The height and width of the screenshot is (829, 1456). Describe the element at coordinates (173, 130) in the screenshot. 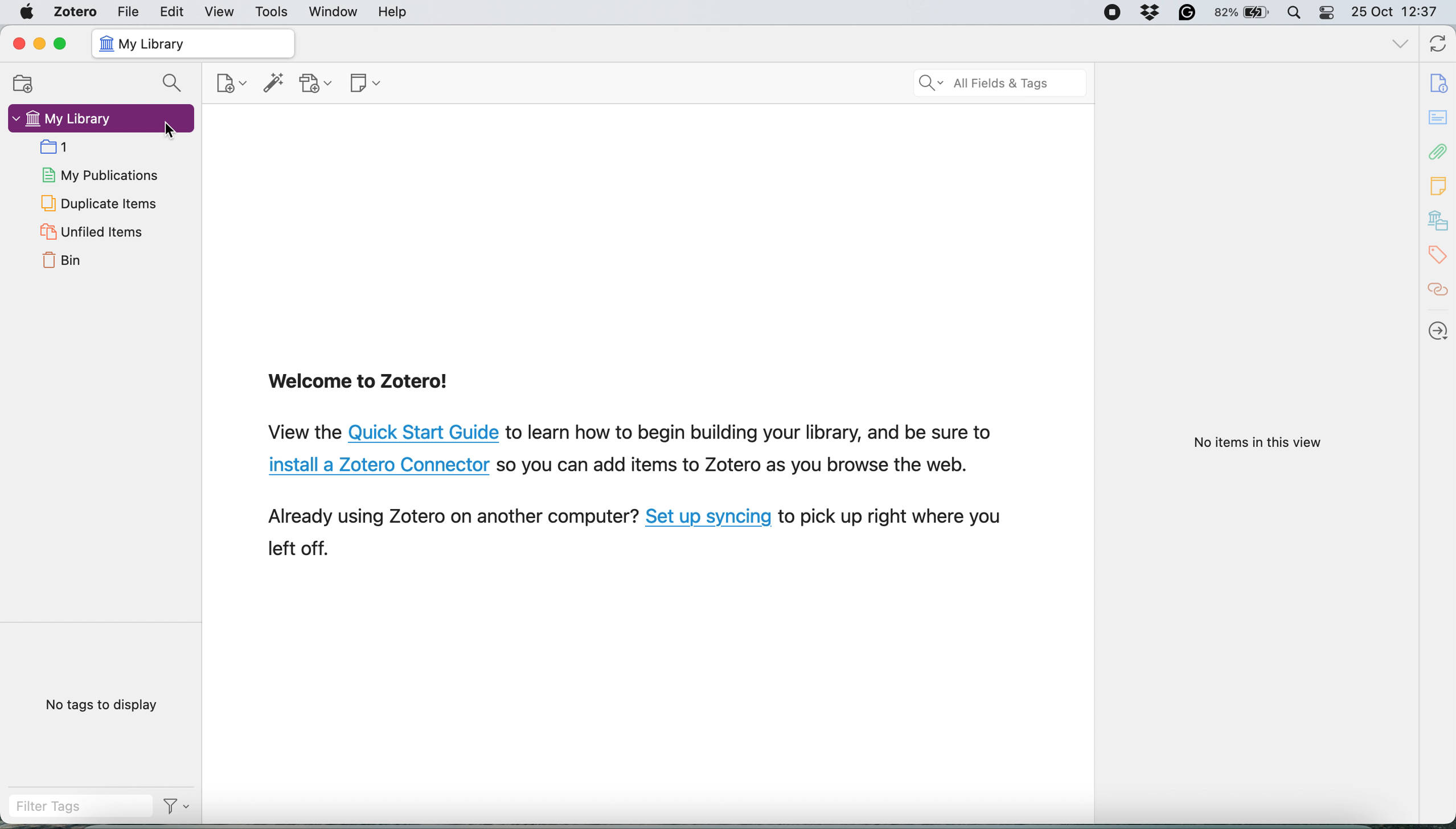

I see `Cursor` at that location.